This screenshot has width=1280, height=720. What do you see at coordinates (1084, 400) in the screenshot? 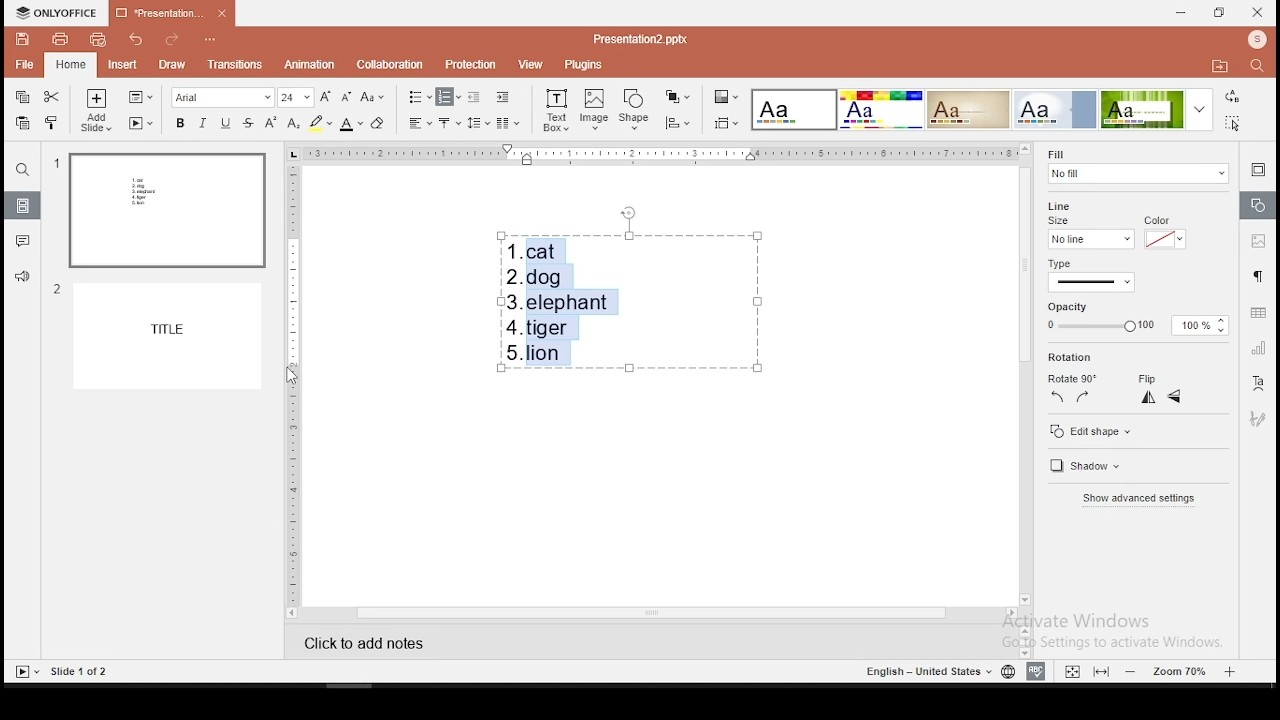
I see `right` at bounding box center [1084, 400].